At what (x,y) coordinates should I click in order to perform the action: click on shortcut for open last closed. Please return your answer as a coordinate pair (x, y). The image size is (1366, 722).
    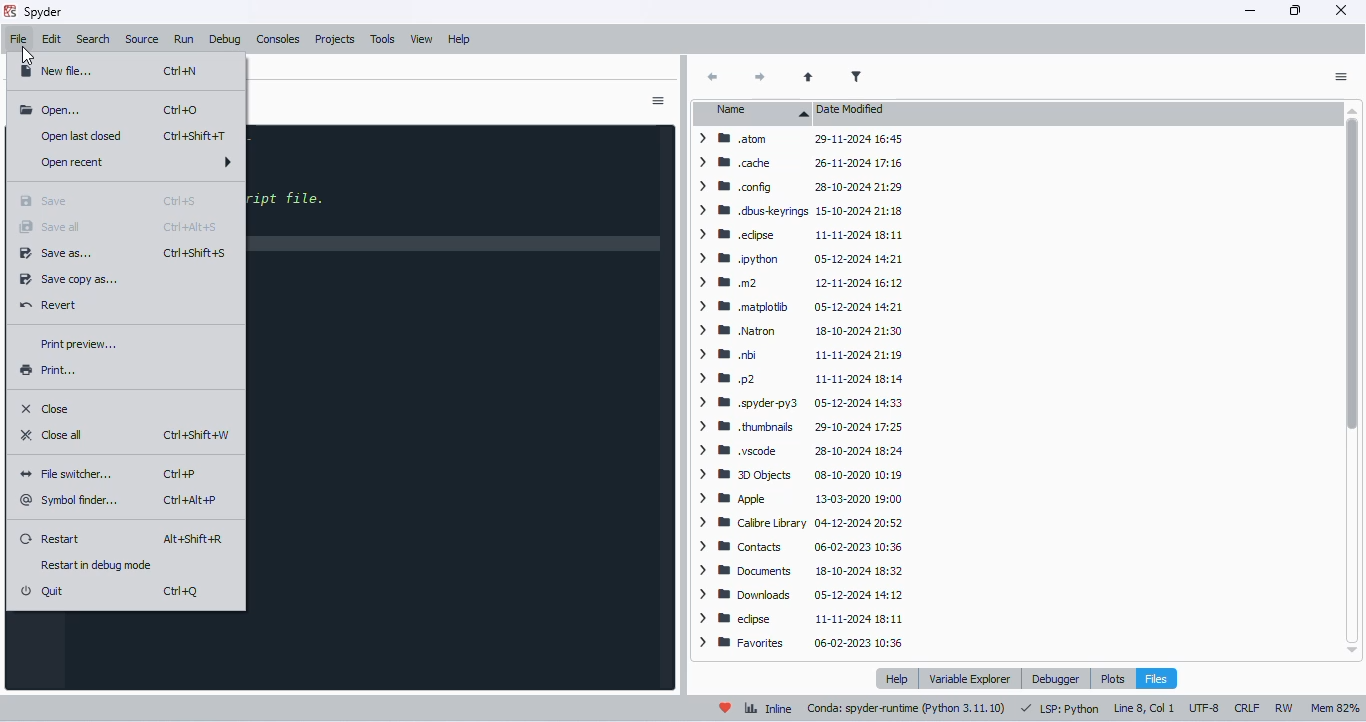
    Looking at the image, I should click on (194, 137).